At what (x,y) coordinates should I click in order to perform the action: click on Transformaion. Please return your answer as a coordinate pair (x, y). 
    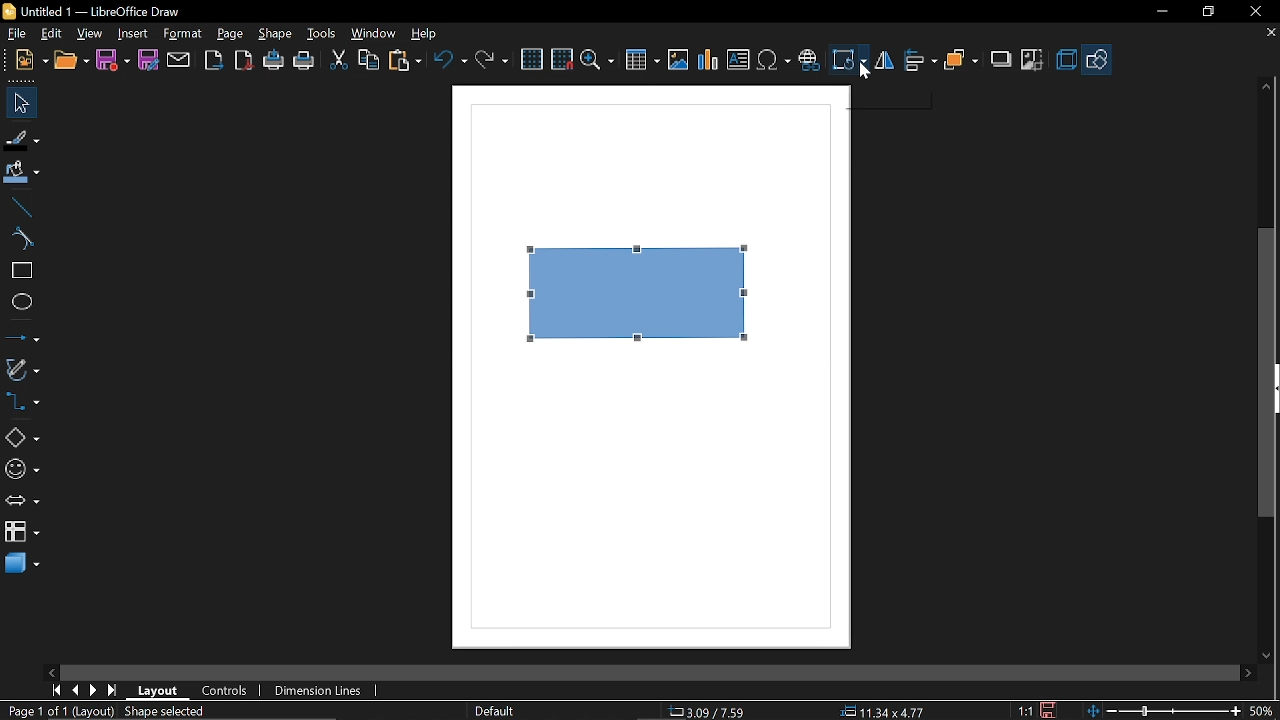
    Looking at the image, I should click on (849, 61).